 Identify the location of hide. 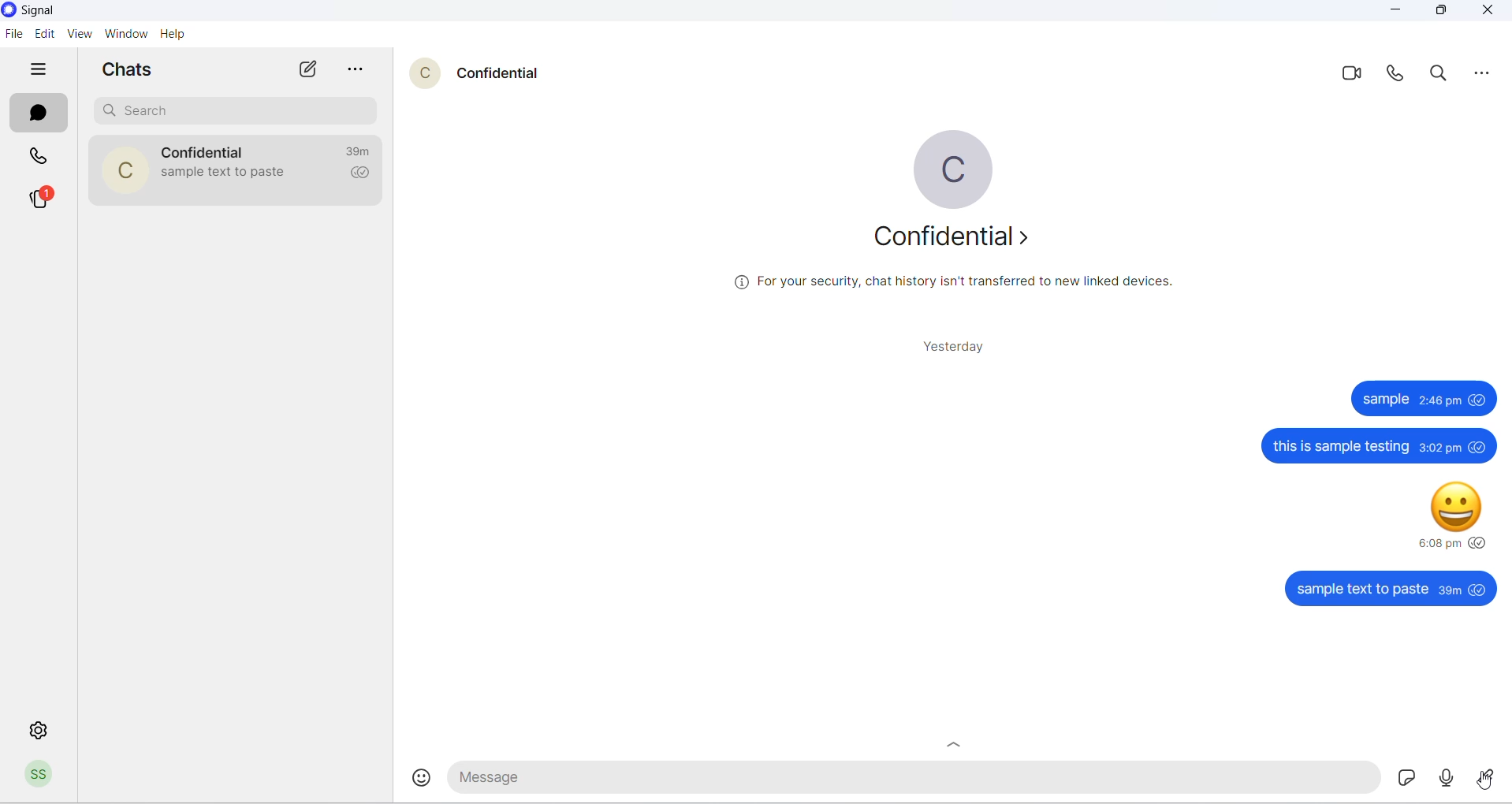
(37, 70).